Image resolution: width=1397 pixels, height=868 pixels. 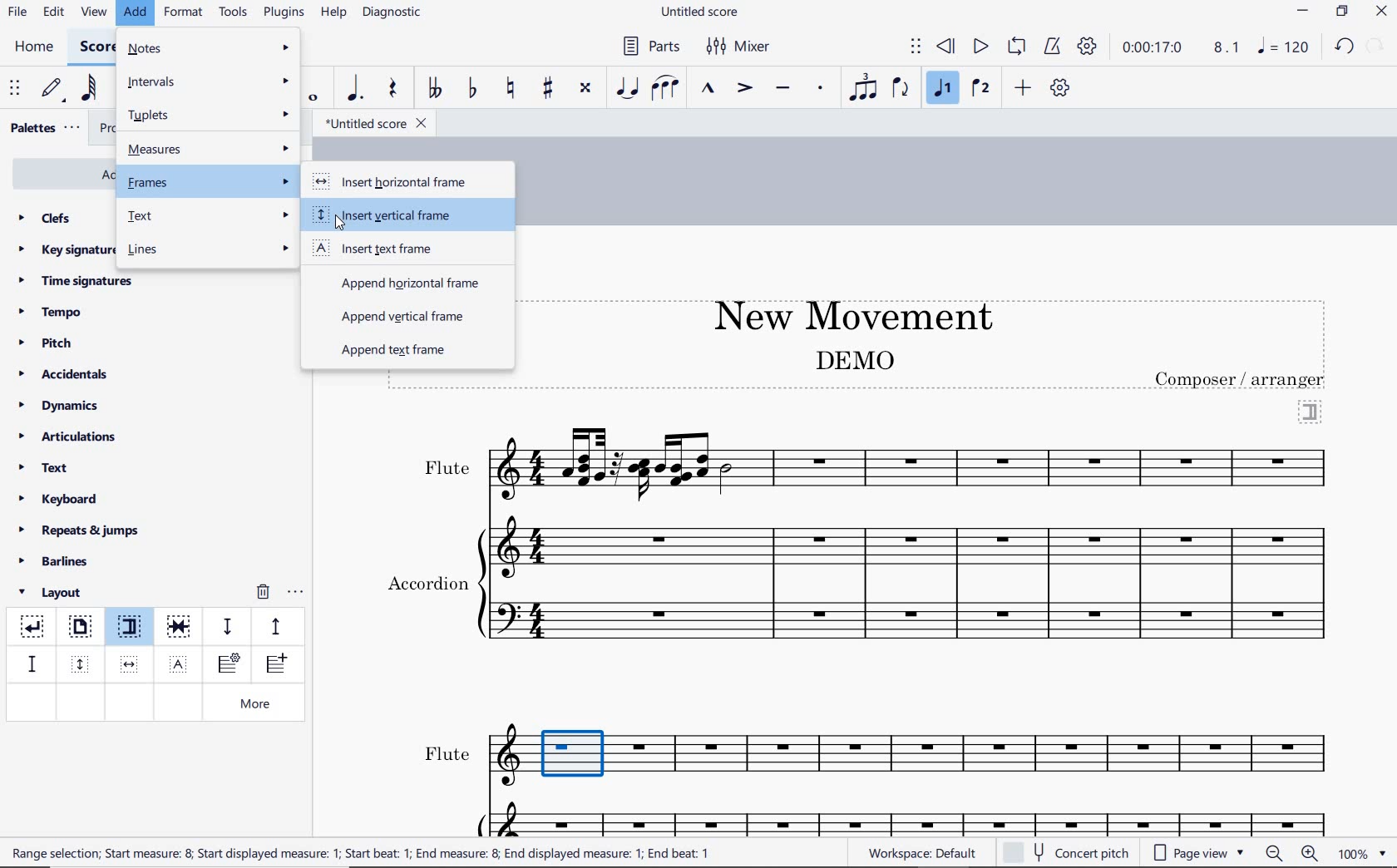 What do you see at coordinates (63, 406) in the screenshot?
I see `dynamics` at bounding box center [63, 406].